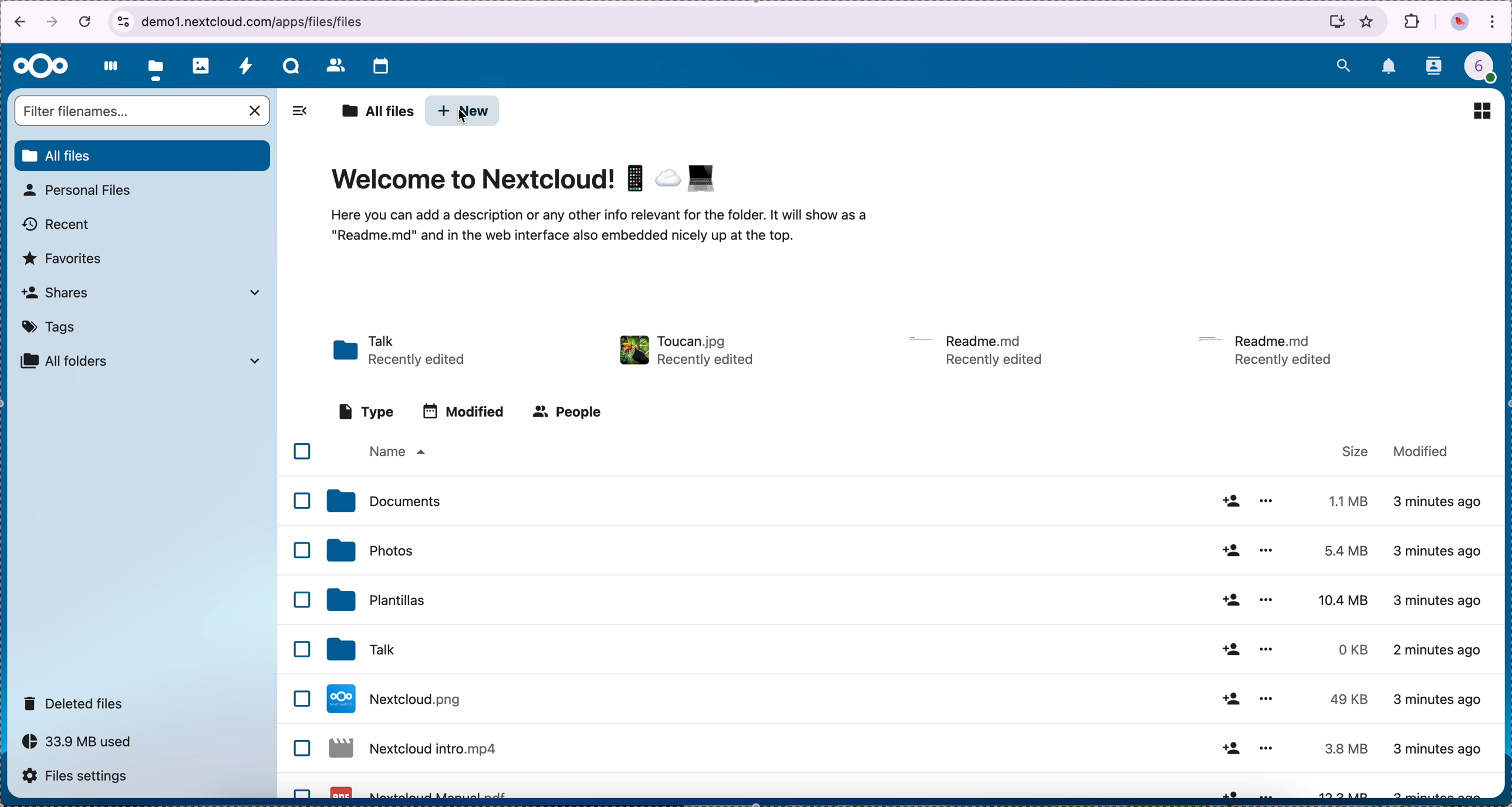 Image resolution: width=1512 pixels, height=807 pixels. What do you see at coordinates (369, 550) in the screenshot?
I see `photos` at bounding box center [369, 550].